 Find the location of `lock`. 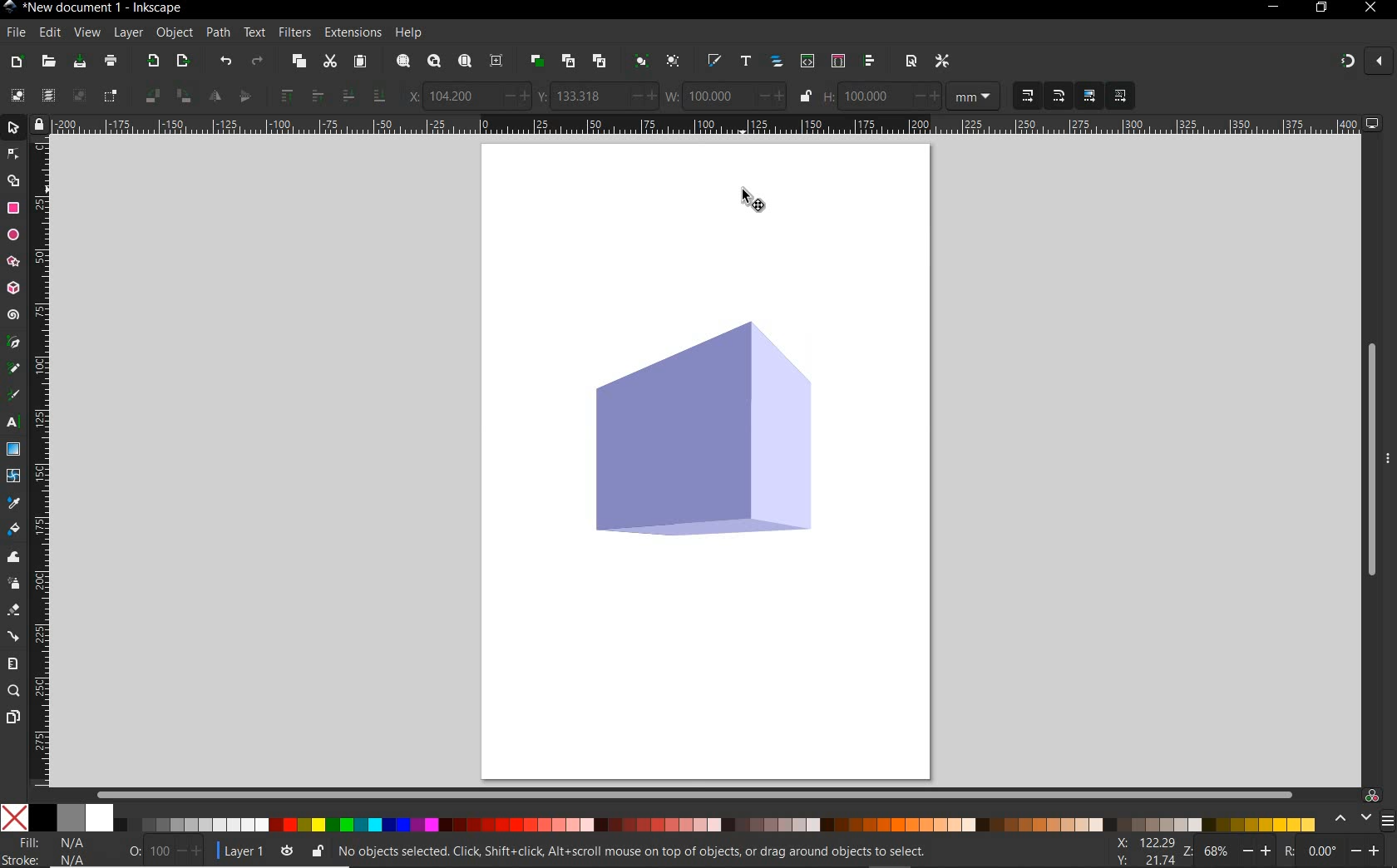

lock is located at coordinates (38, 124).